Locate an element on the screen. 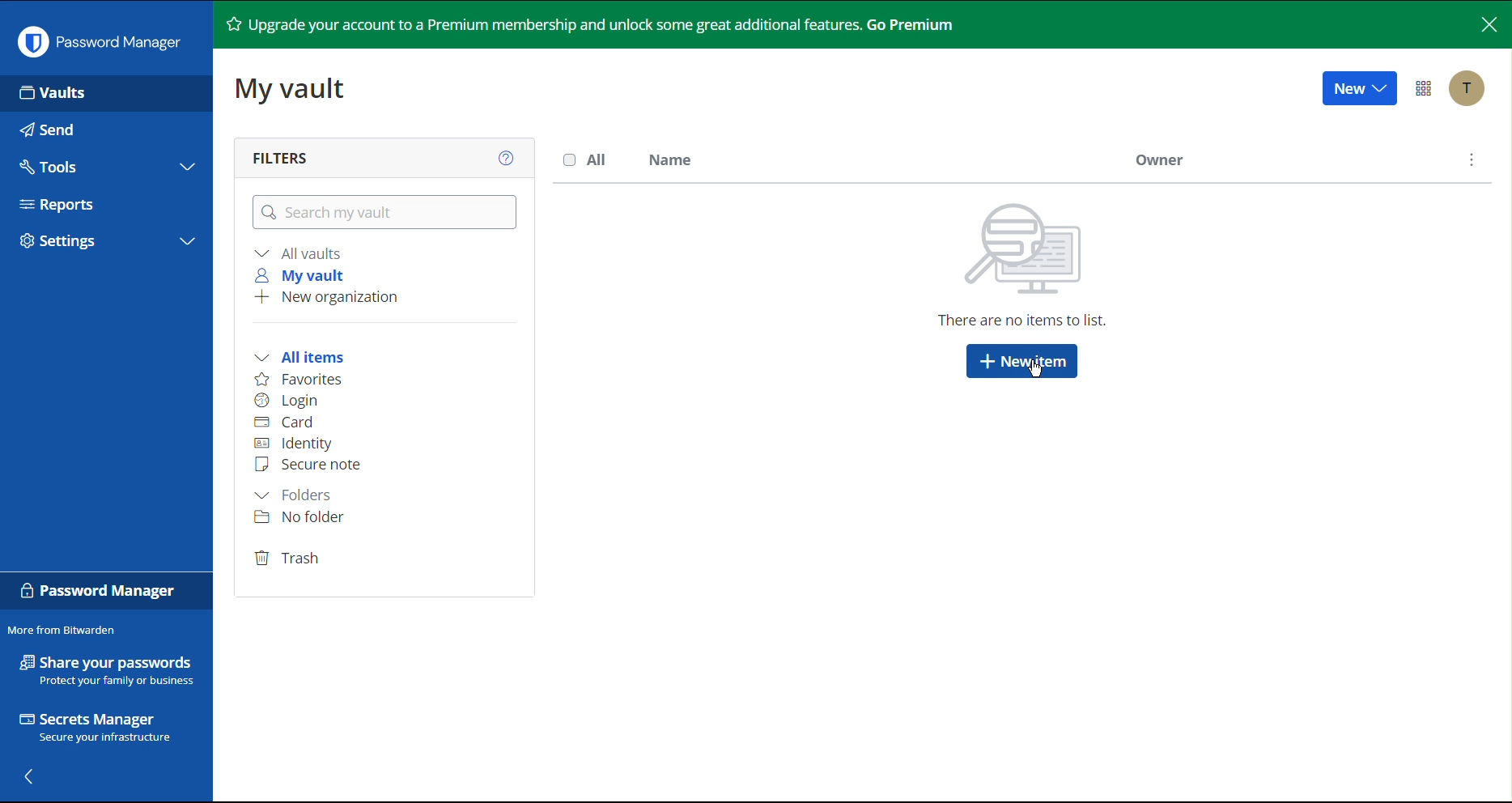  Reports is located at coordinates (103, 206).